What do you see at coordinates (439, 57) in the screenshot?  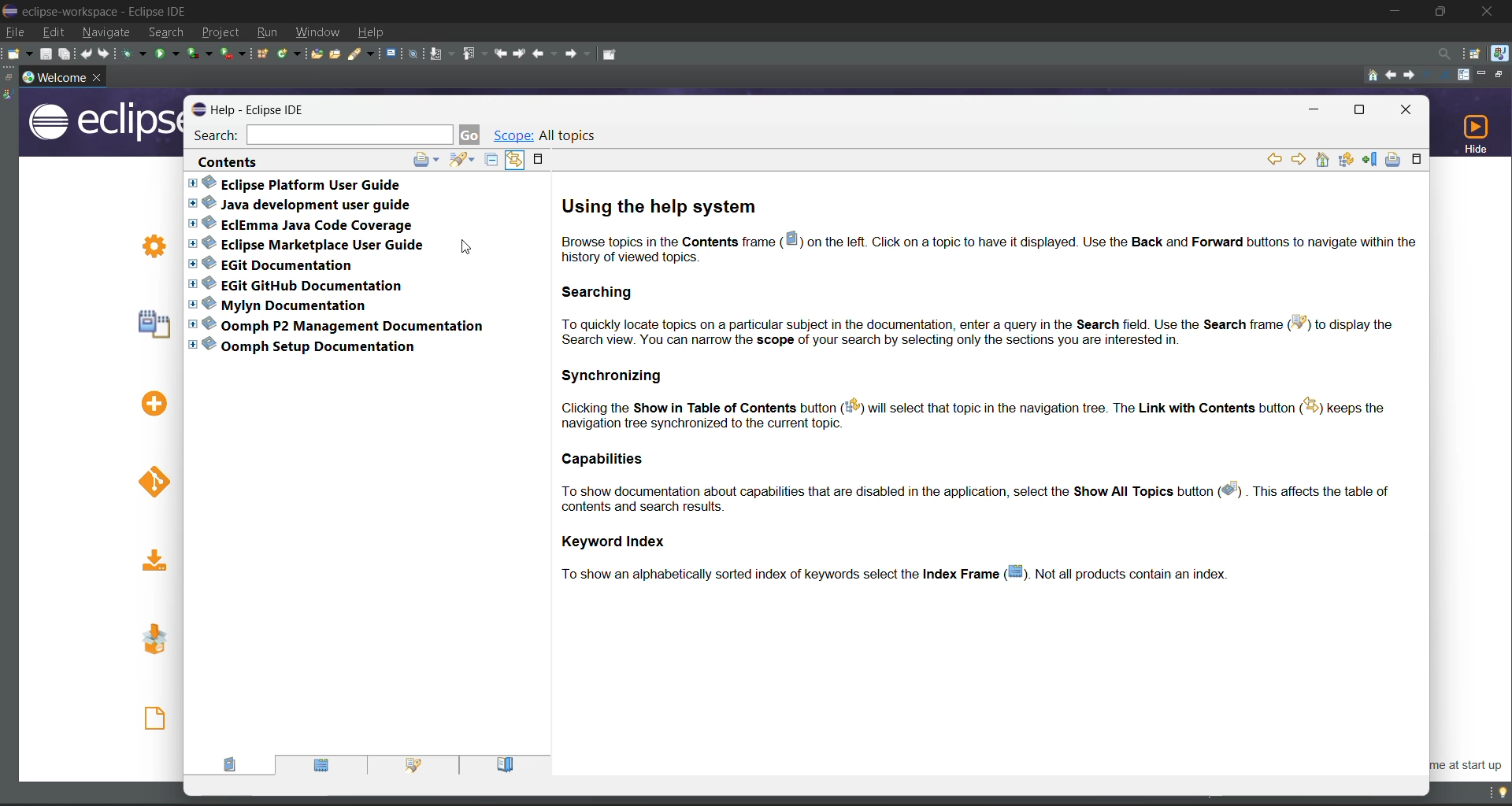 I see `next annotation` at bounding box center [439, 57].